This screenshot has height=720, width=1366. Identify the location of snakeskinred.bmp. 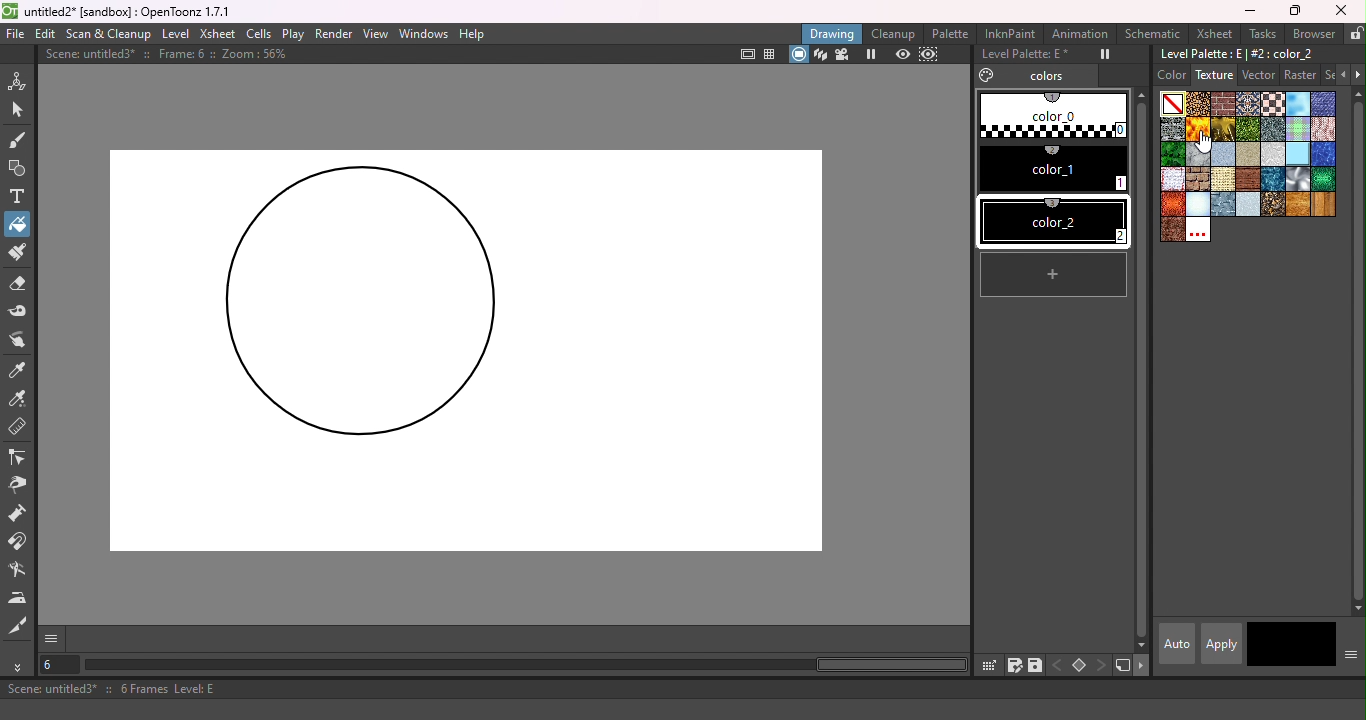
(1172, 205).